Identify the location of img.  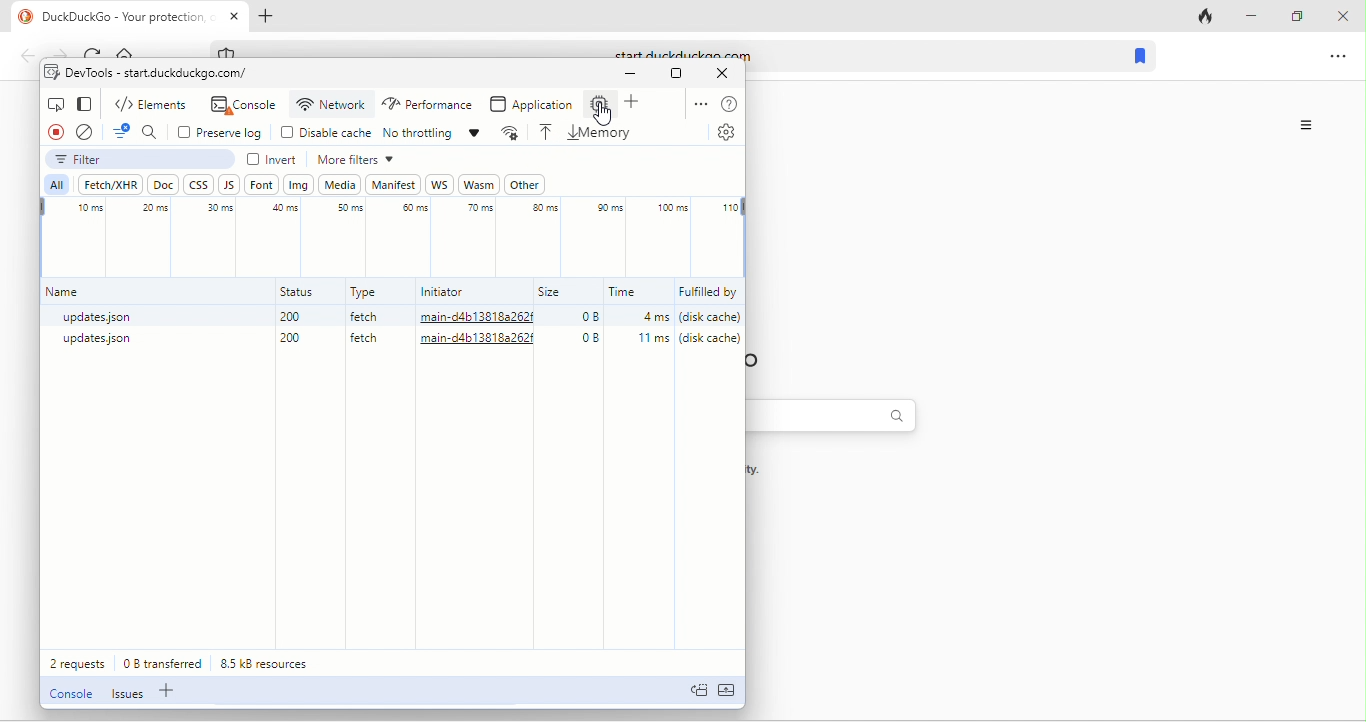
(300, 186).